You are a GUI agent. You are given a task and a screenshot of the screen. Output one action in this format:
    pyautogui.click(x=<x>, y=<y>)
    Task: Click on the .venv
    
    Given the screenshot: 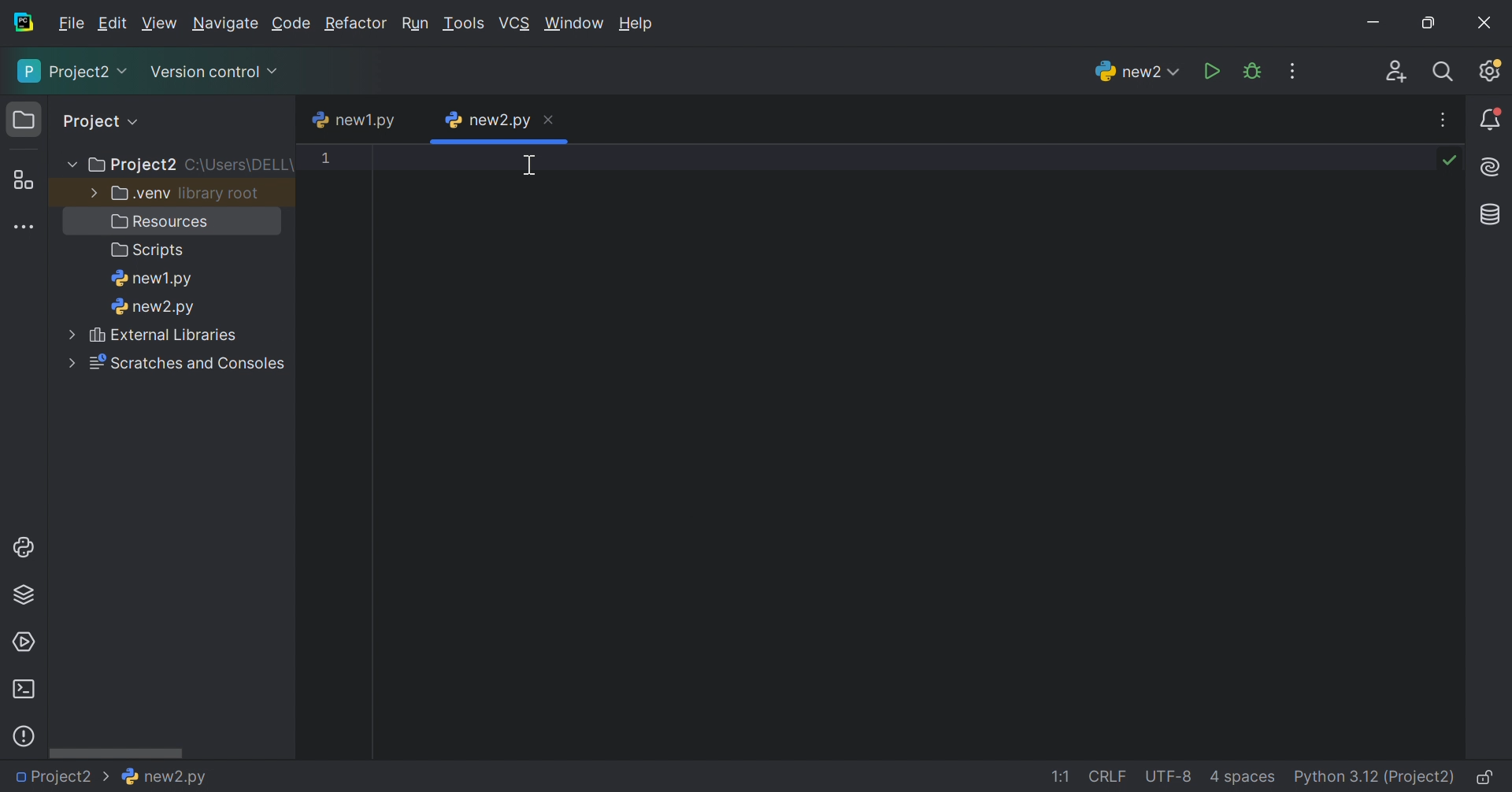 What is the action you would take?
    pyautogui.click(x=140, y=193)
    